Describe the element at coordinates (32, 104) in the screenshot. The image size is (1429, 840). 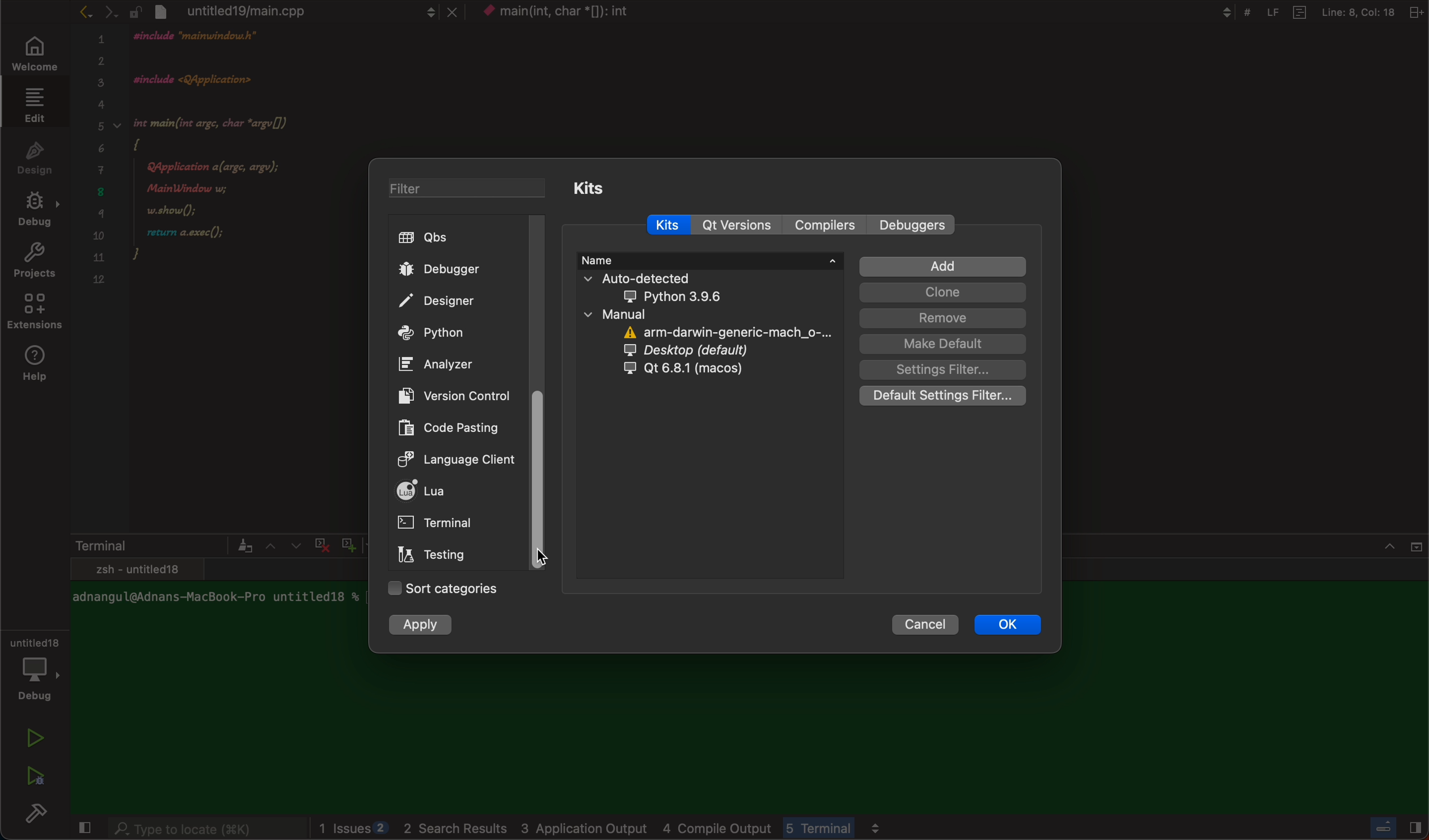
I see `edit` at that location.